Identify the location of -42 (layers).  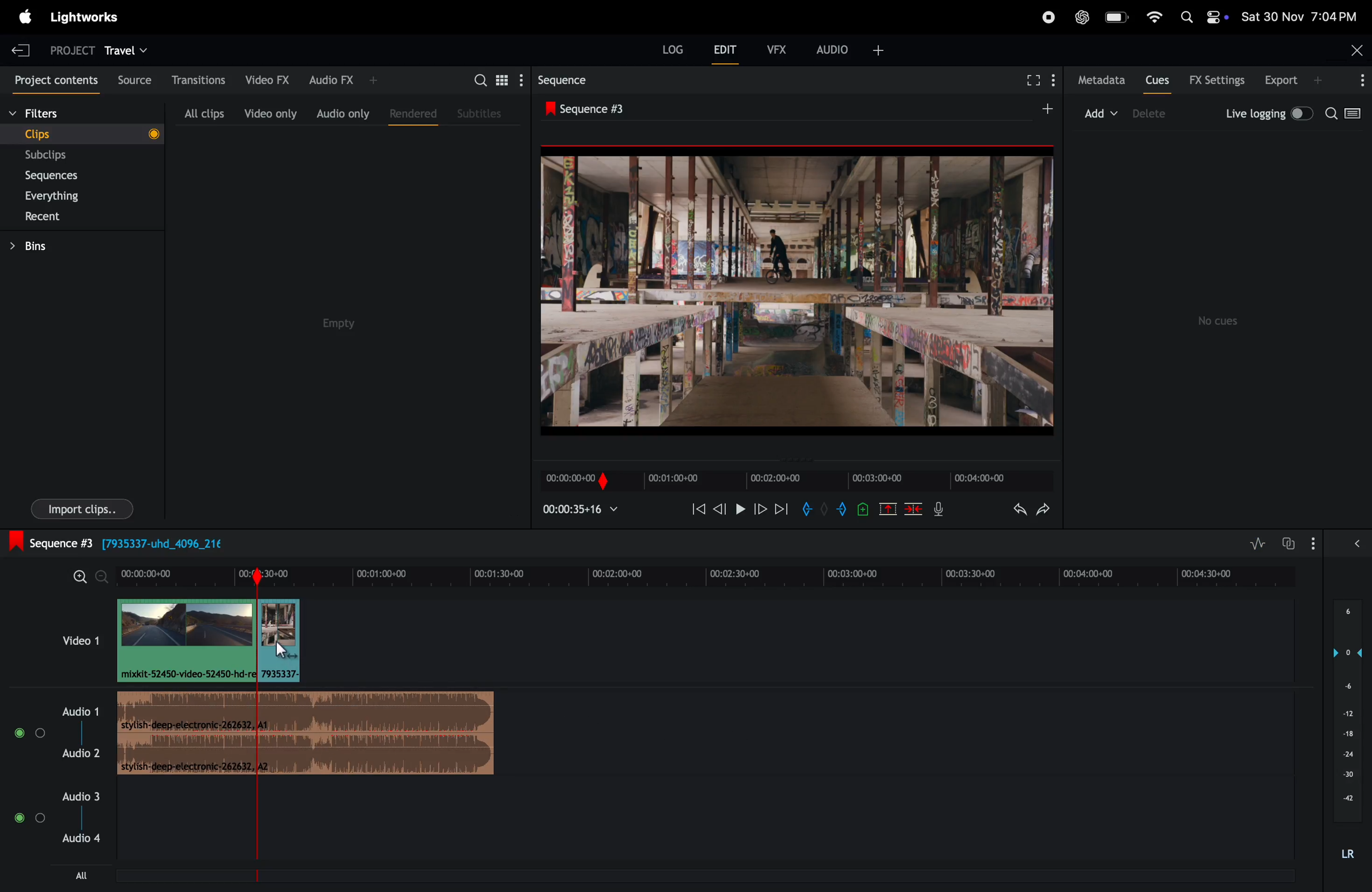
(1344, 799).